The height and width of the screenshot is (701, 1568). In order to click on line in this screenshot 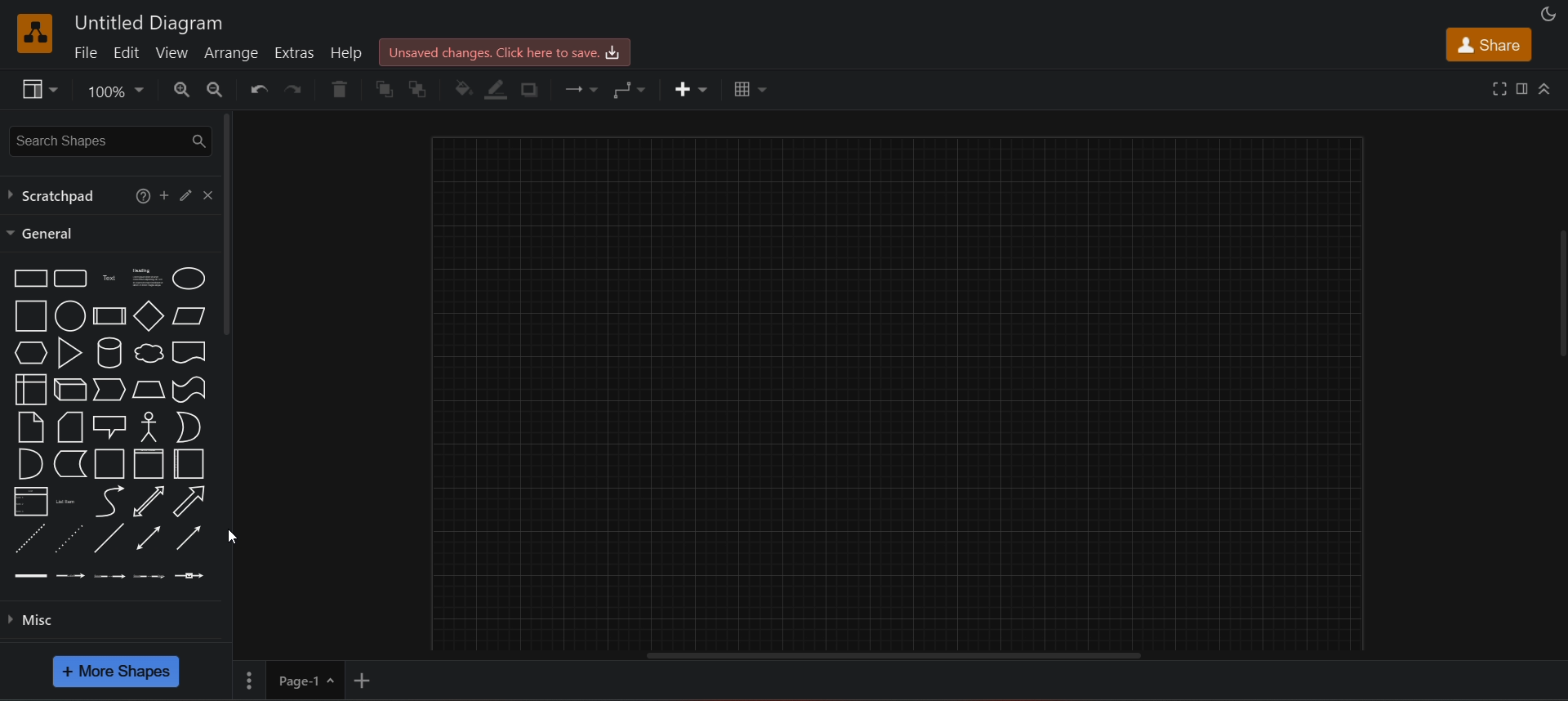, I will do `click(111, 537)`.